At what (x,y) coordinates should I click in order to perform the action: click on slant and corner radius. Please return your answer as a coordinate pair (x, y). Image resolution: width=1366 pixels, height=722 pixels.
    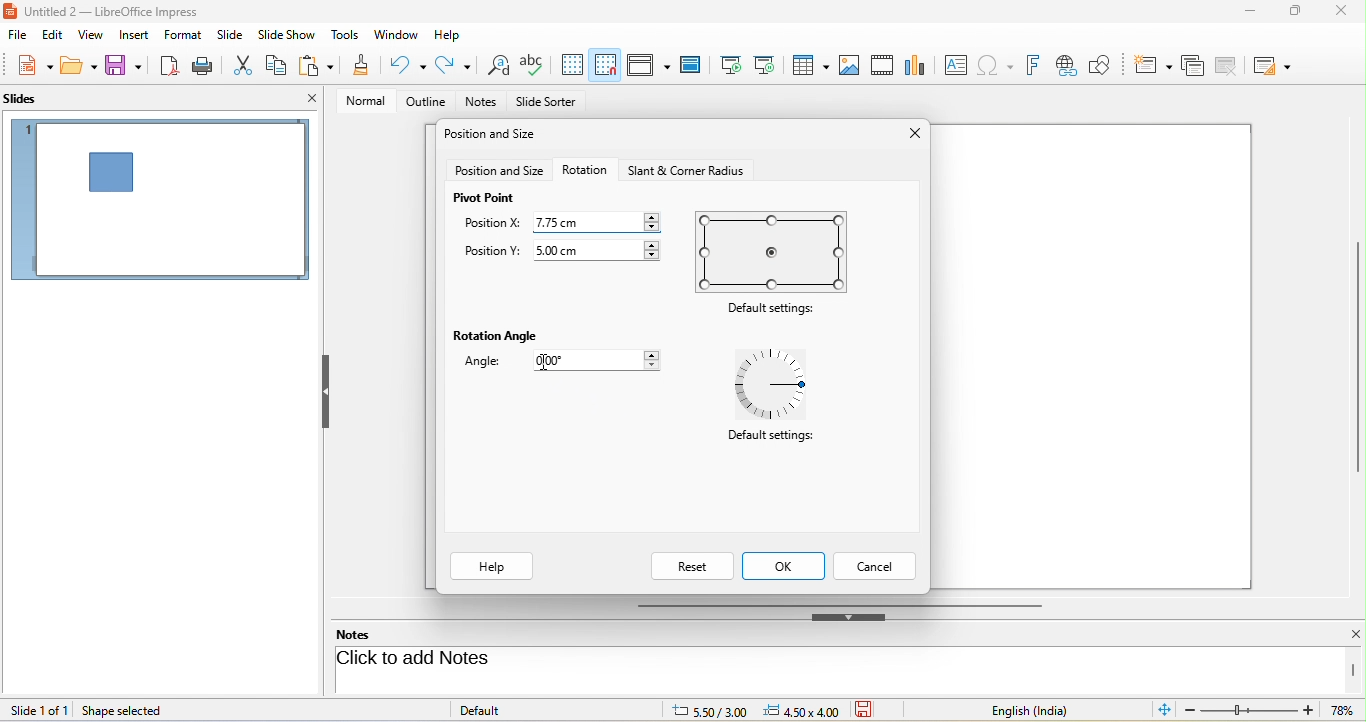
    Looking at the image, I should click on (683, 170).